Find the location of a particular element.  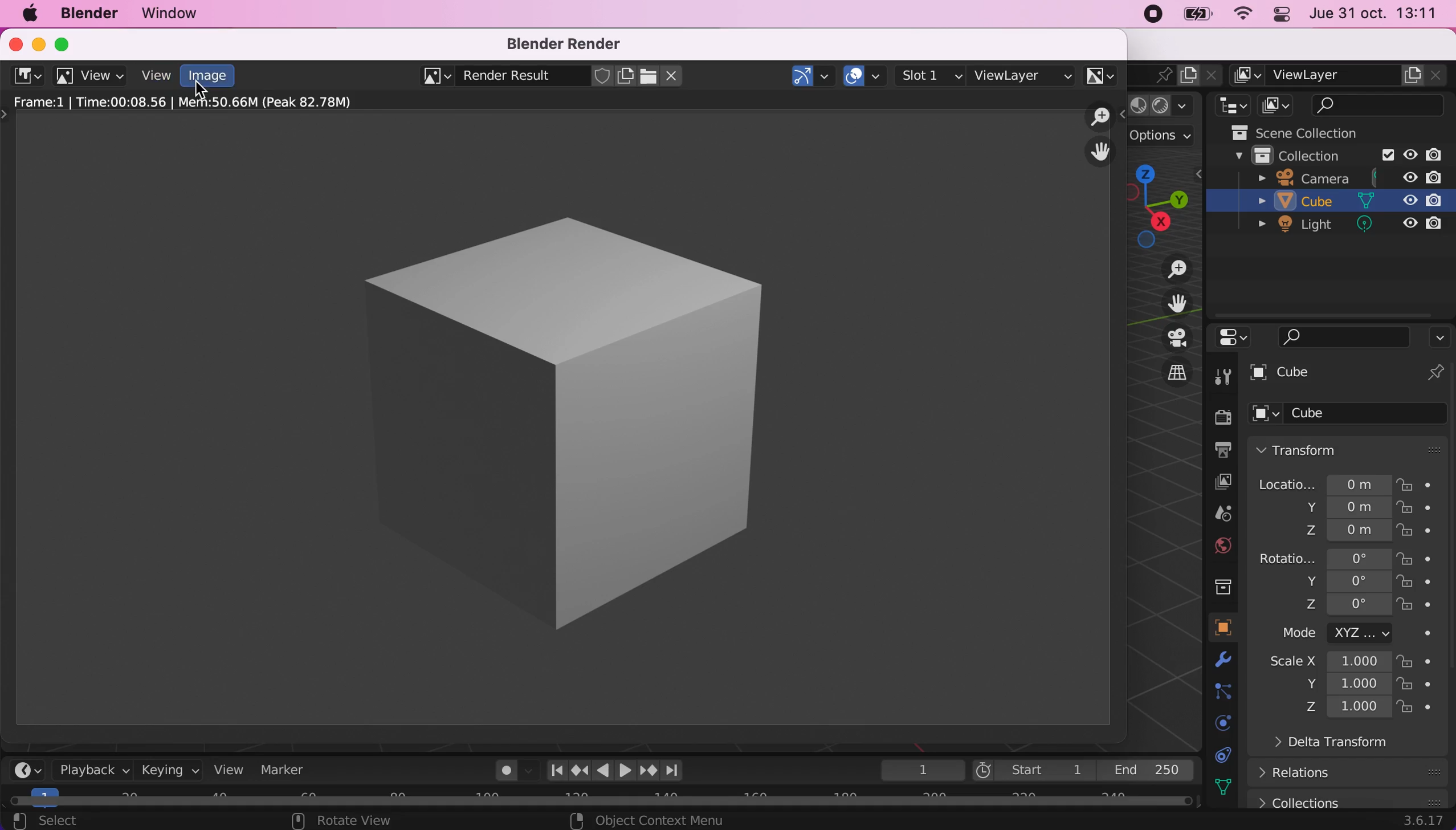

switch the current view is located at coordinates (1166, 372).